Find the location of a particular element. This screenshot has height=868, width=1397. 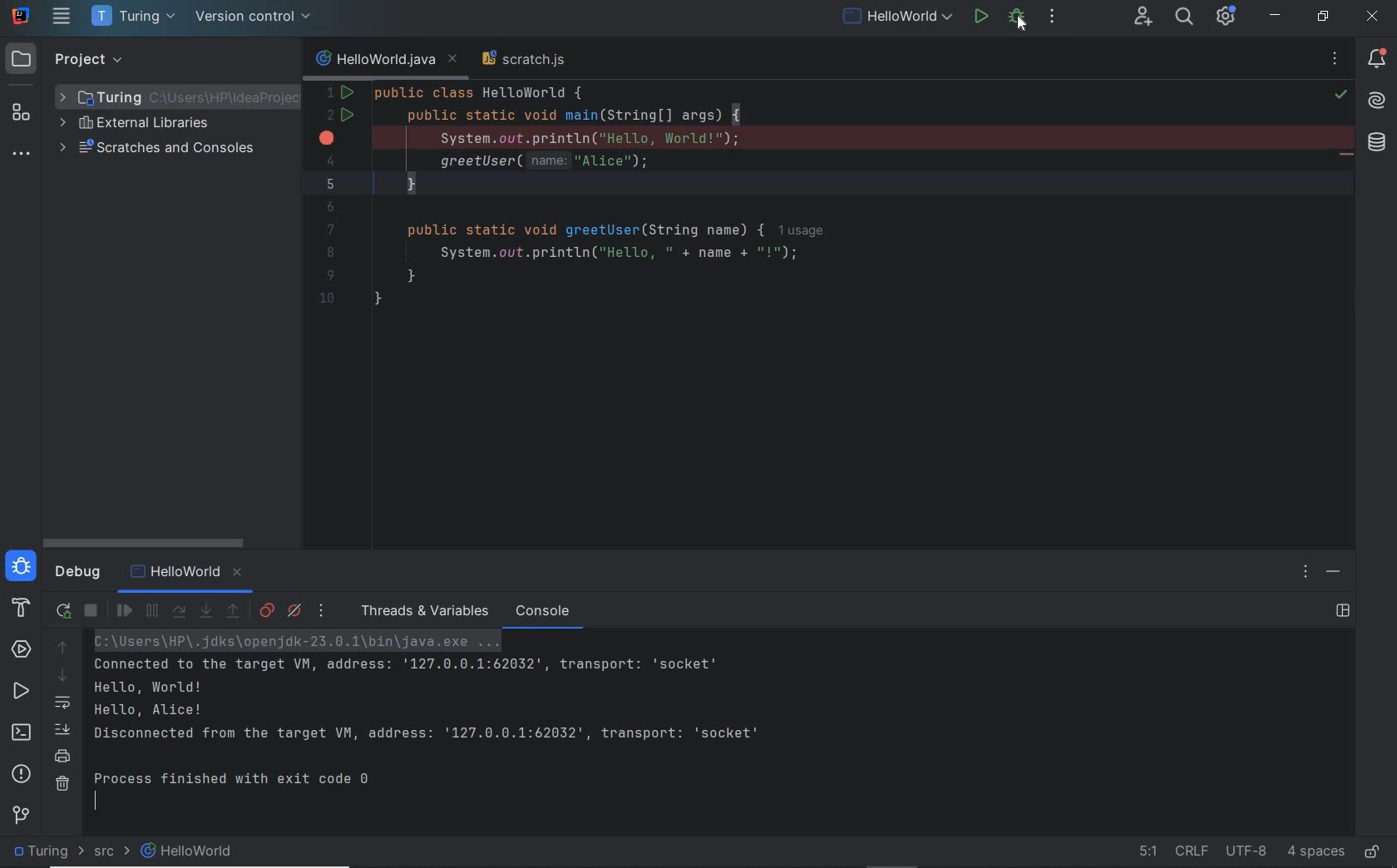

project folder is located at coordinates (176, 95).